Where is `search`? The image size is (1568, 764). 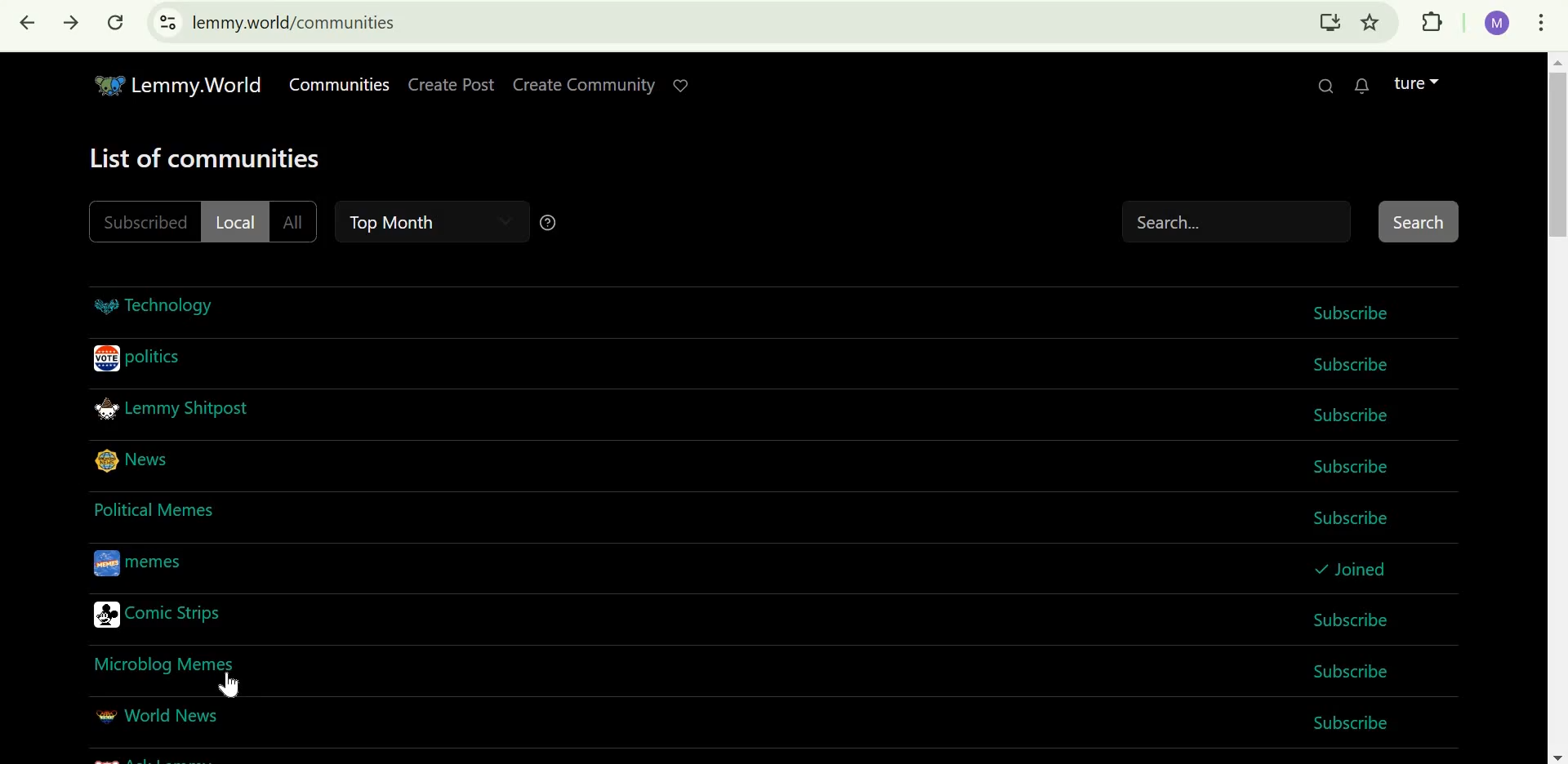 search is located at coordinates (1290, 220).